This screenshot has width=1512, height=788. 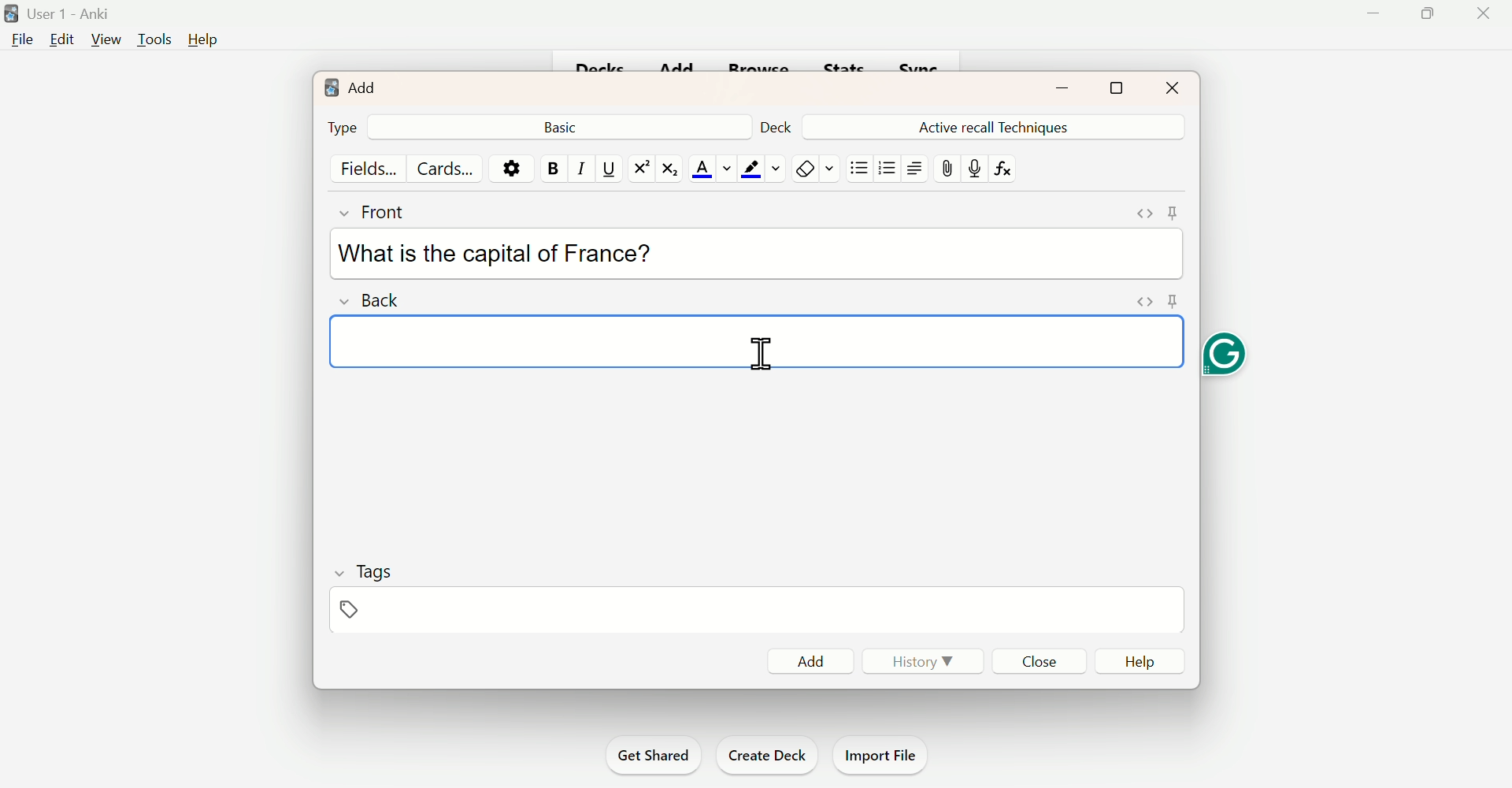 What do you see at coordinates (648, 754) in the screenshot?
I see `Get Shared` at bounding box center [648, 754].